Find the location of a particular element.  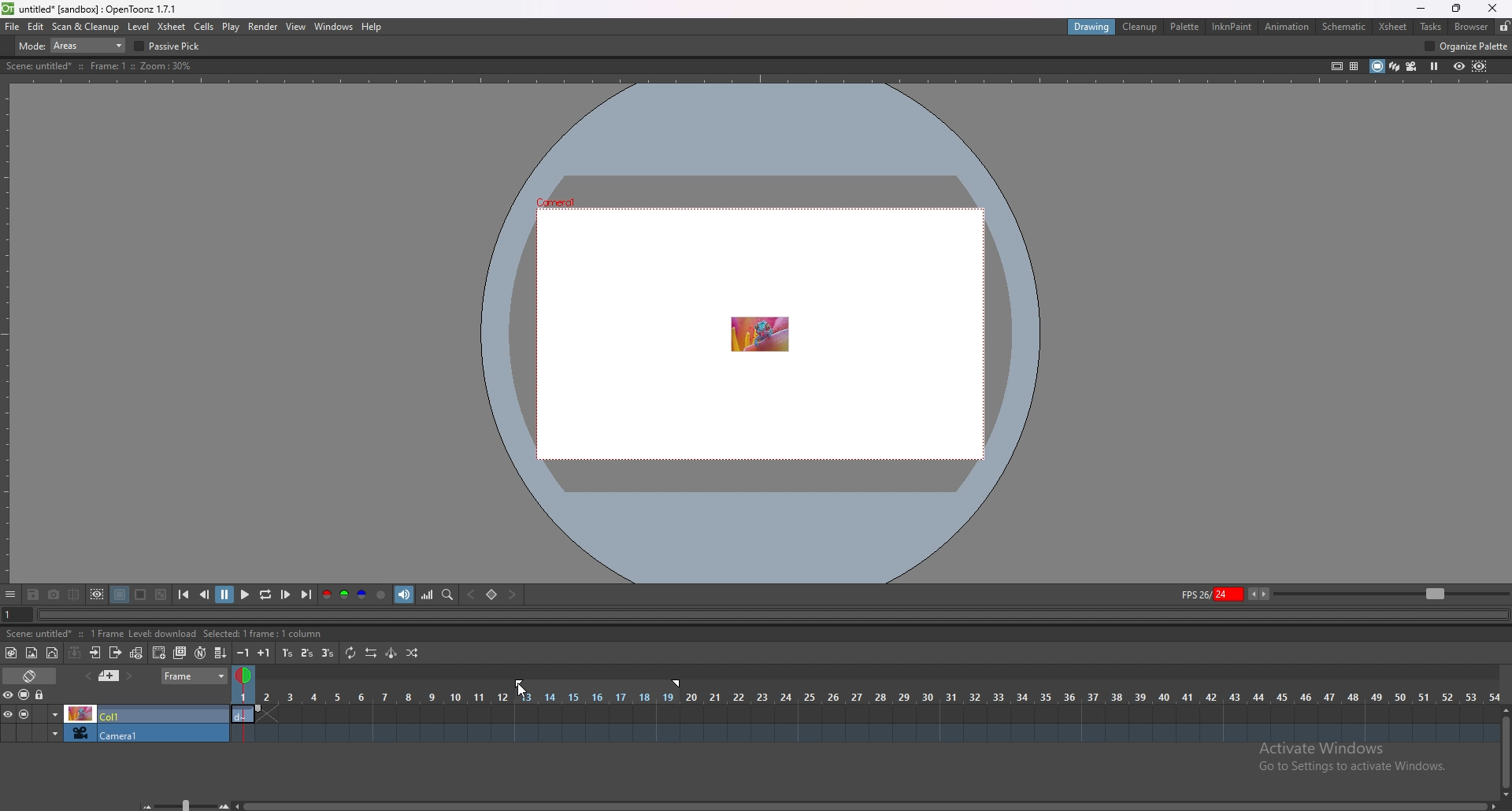

sub camera preview is located at coordinates (1480, 67).